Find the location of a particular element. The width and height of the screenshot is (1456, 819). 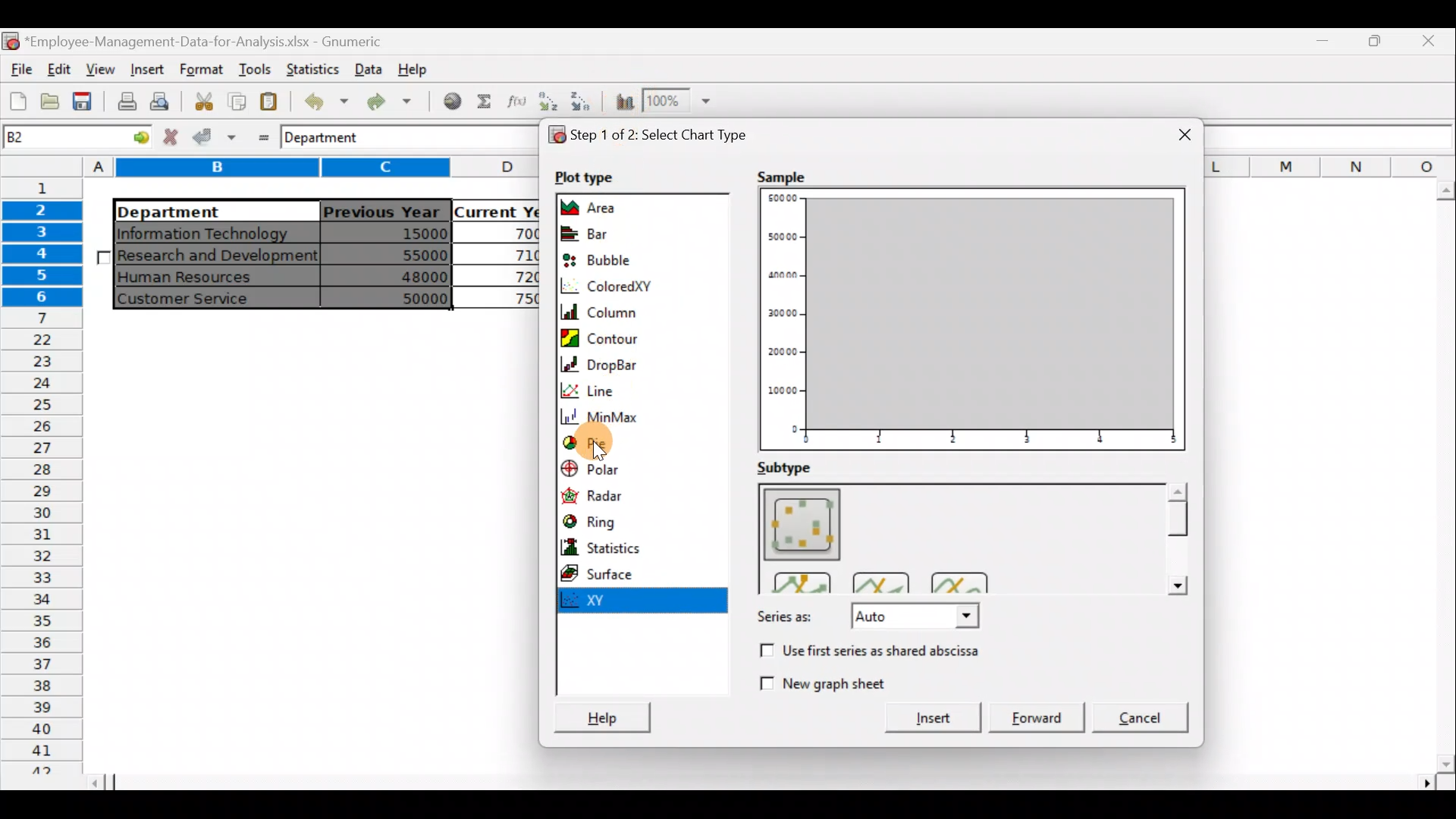

55000 is located at coordinates (416, 255).